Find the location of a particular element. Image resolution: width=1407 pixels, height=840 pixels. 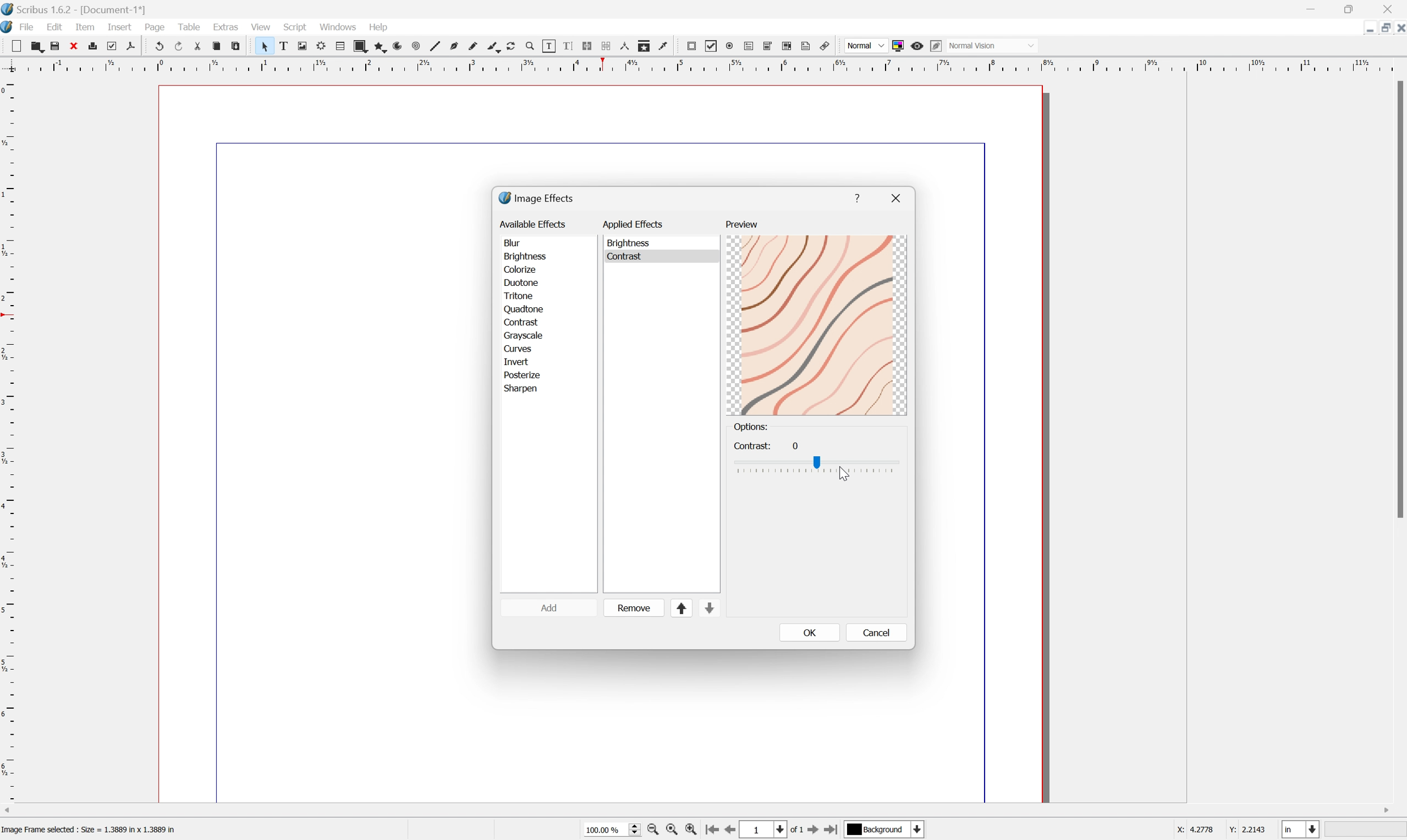

remove is located at coordinates (635, 607).